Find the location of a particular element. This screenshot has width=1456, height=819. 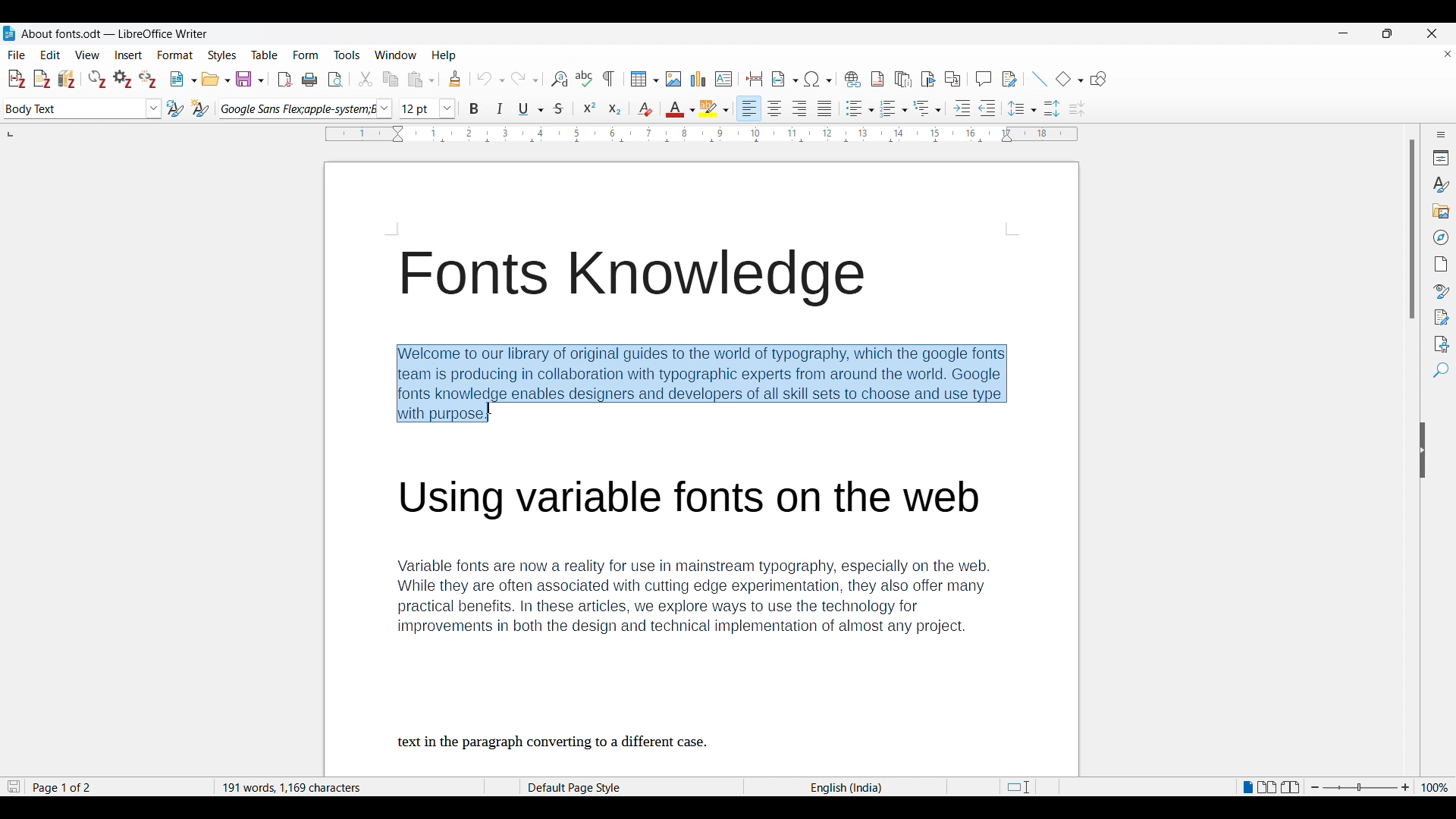

Show track change functions is located at coordinates (1010, 80).